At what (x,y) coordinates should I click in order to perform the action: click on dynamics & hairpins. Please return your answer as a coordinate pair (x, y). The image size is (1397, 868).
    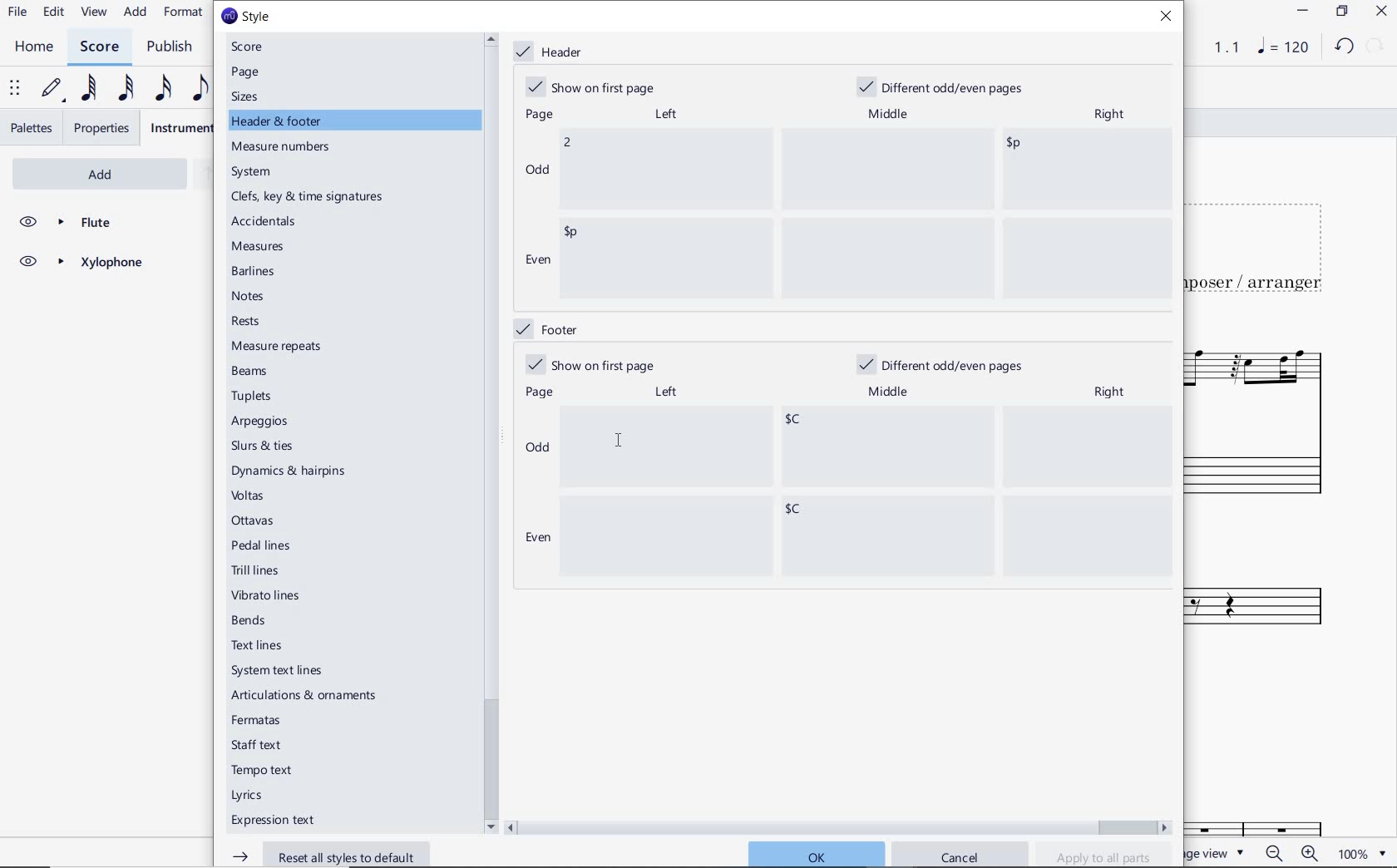
    Looking at the image, I should click on (292, 471).